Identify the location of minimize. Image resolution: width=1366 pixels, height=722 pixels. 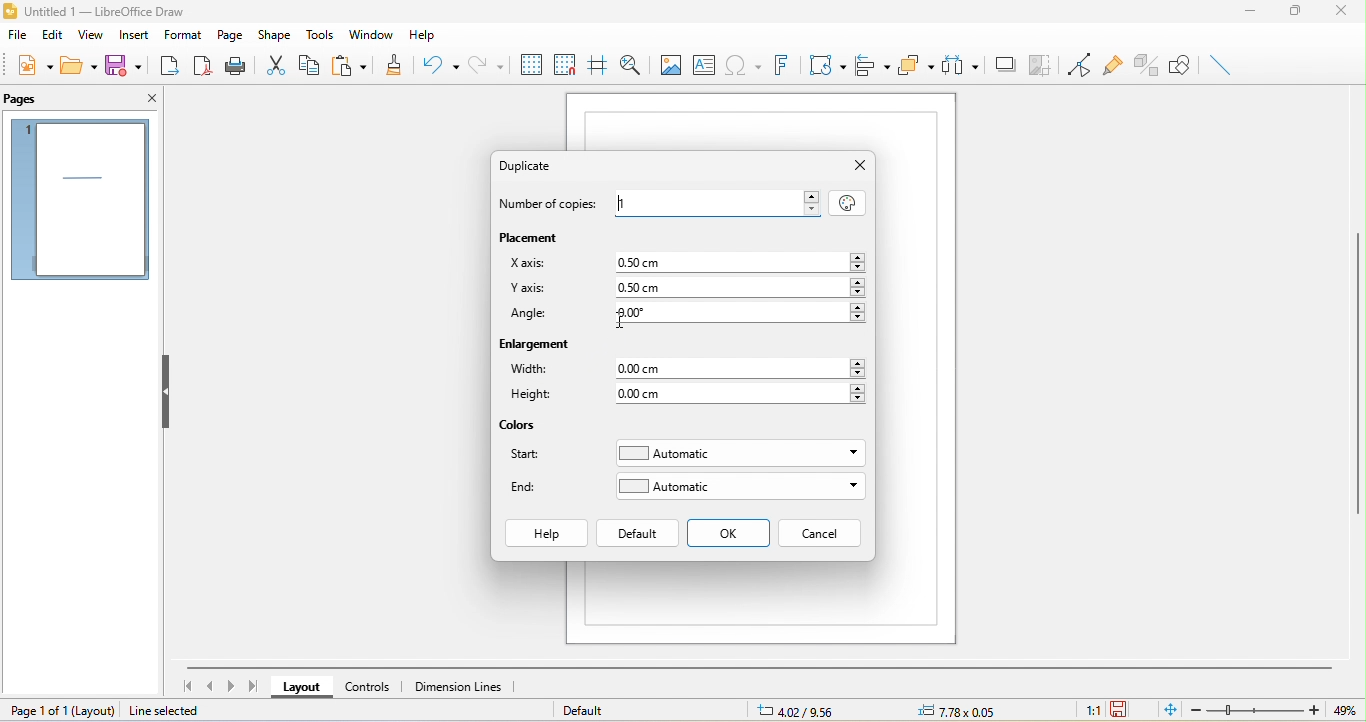
(1250, 15).